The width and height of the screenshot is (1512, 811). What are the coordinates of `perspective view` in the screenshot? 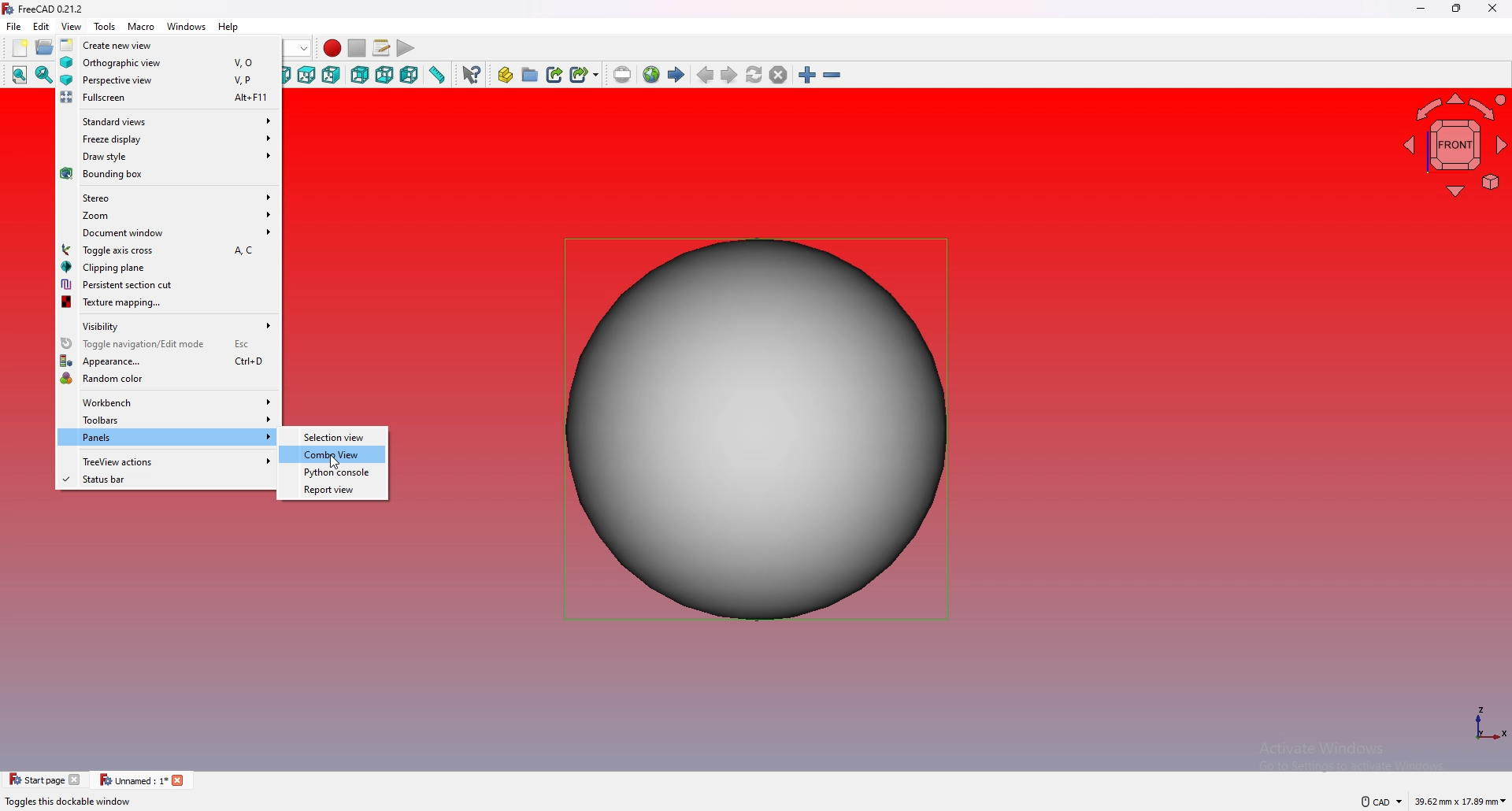 It's located at (169, 80).